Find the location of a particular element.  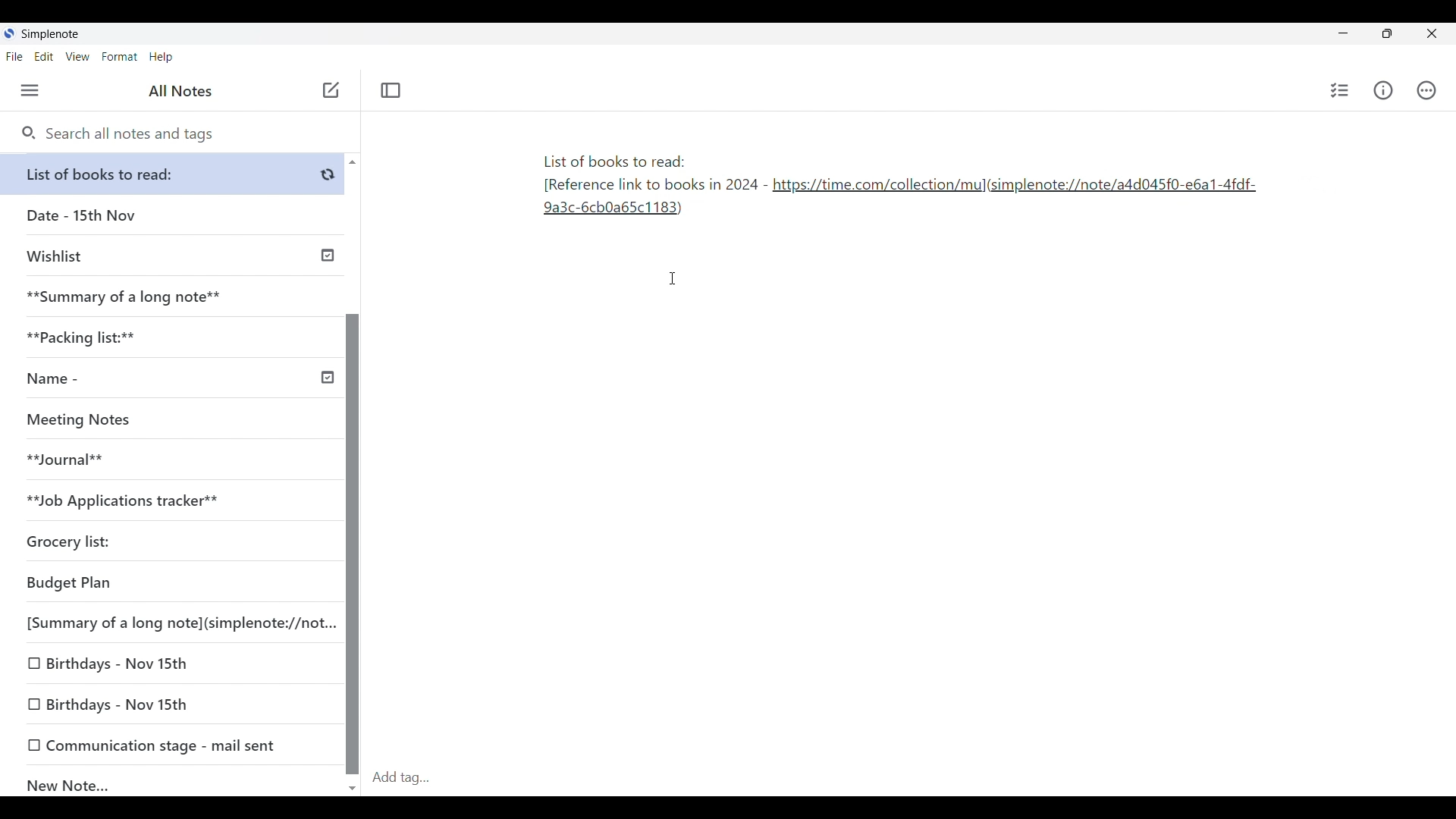

File is located at coordinates (14, 57).